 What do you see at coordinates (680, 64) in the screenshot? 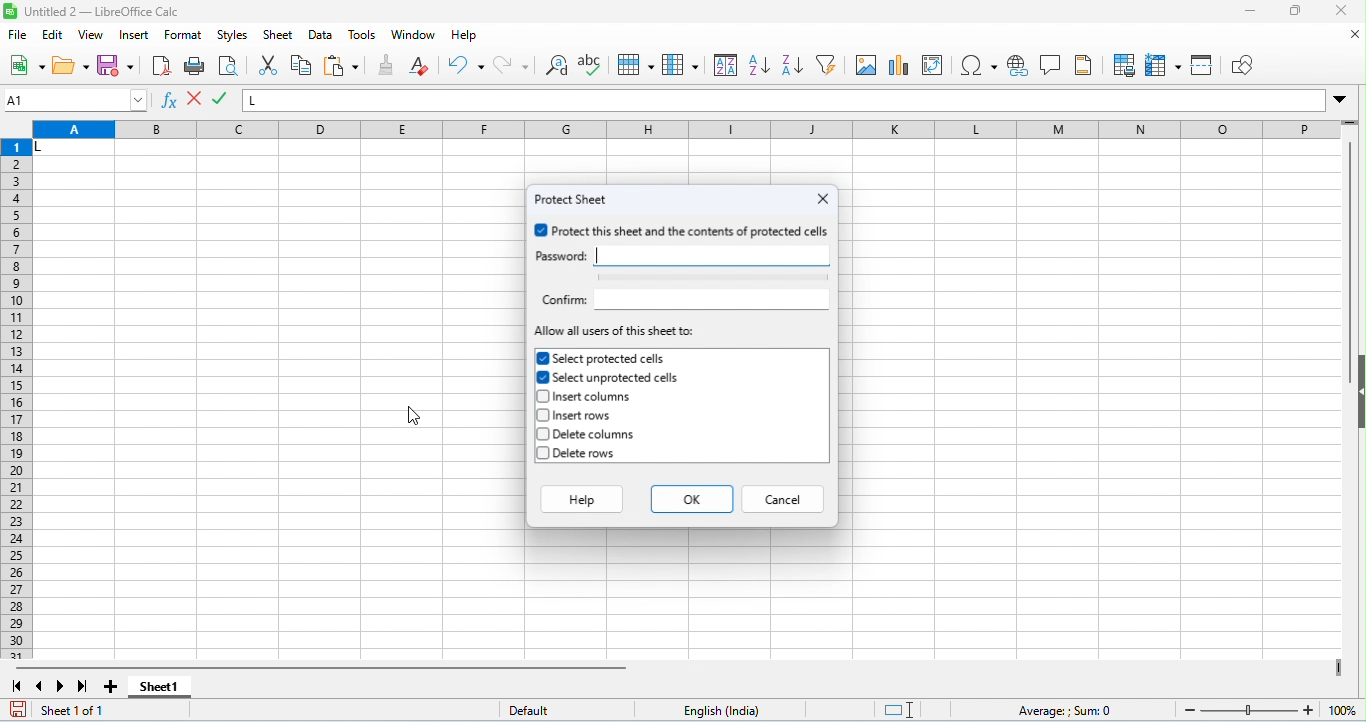
I see `column` at bounding box center [680, 64].